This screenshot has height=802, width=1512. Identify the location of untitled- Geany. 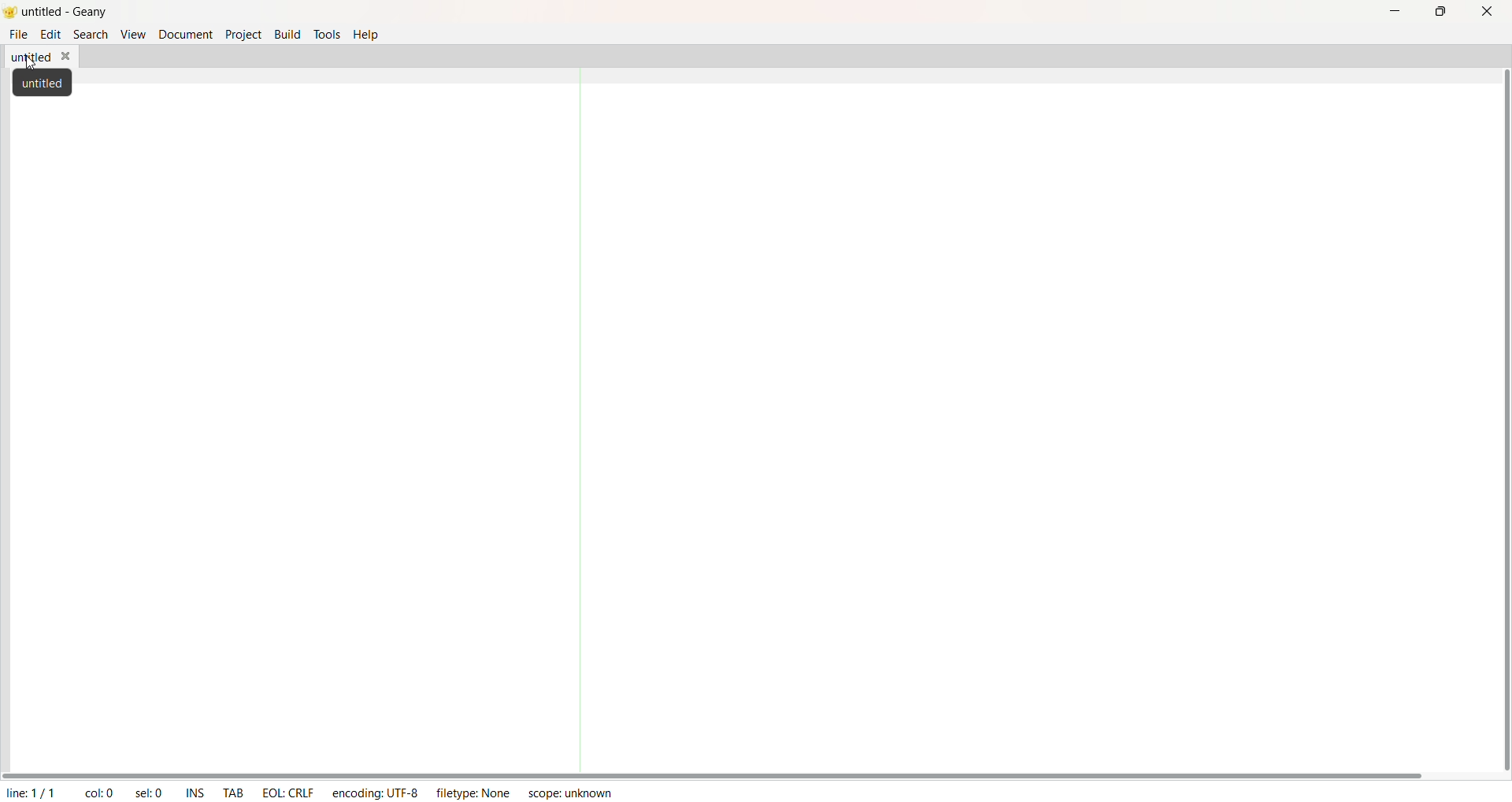
(70, 13).